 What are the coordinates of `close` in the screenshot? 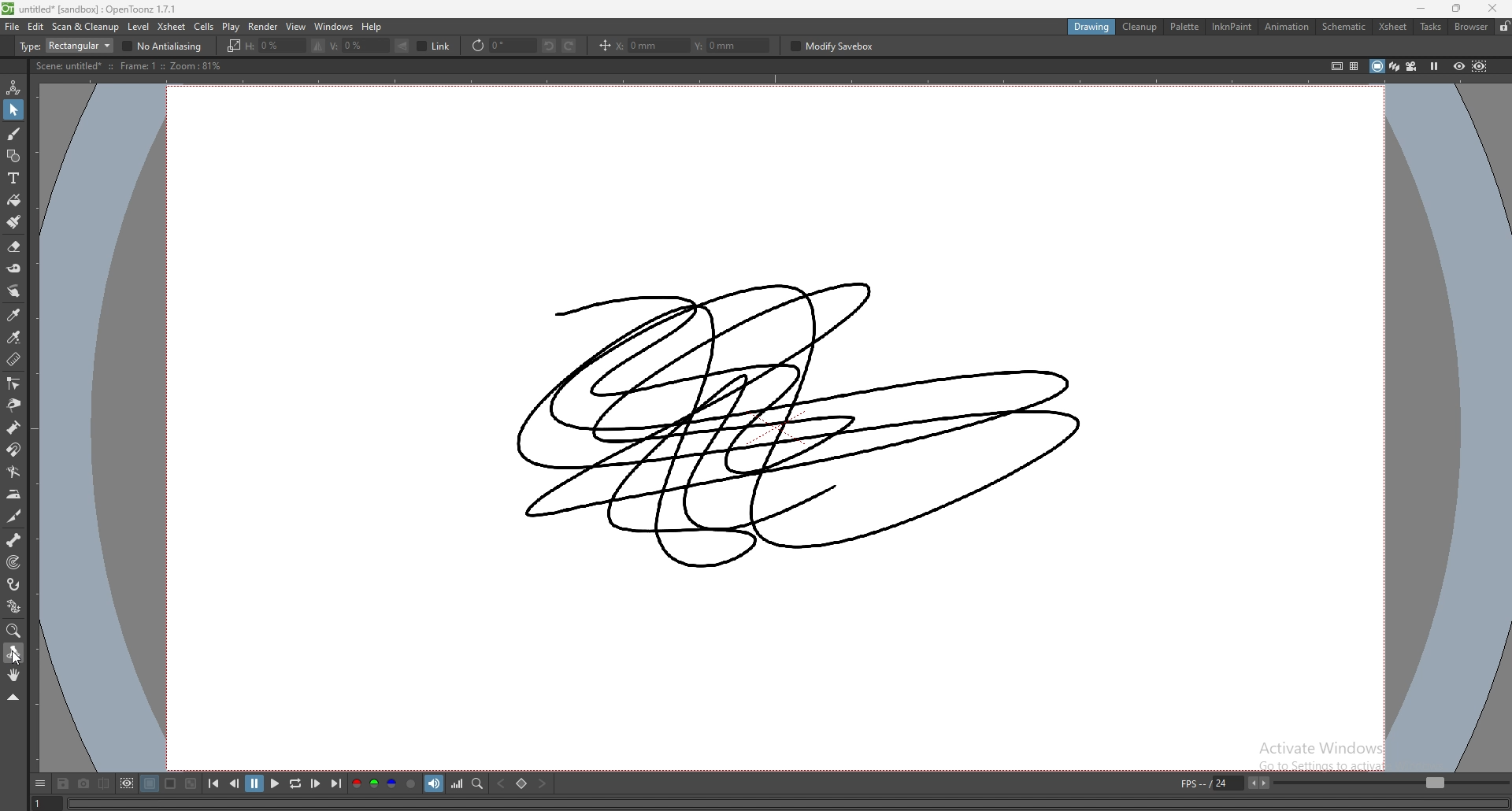 It's located at (1493, 9).